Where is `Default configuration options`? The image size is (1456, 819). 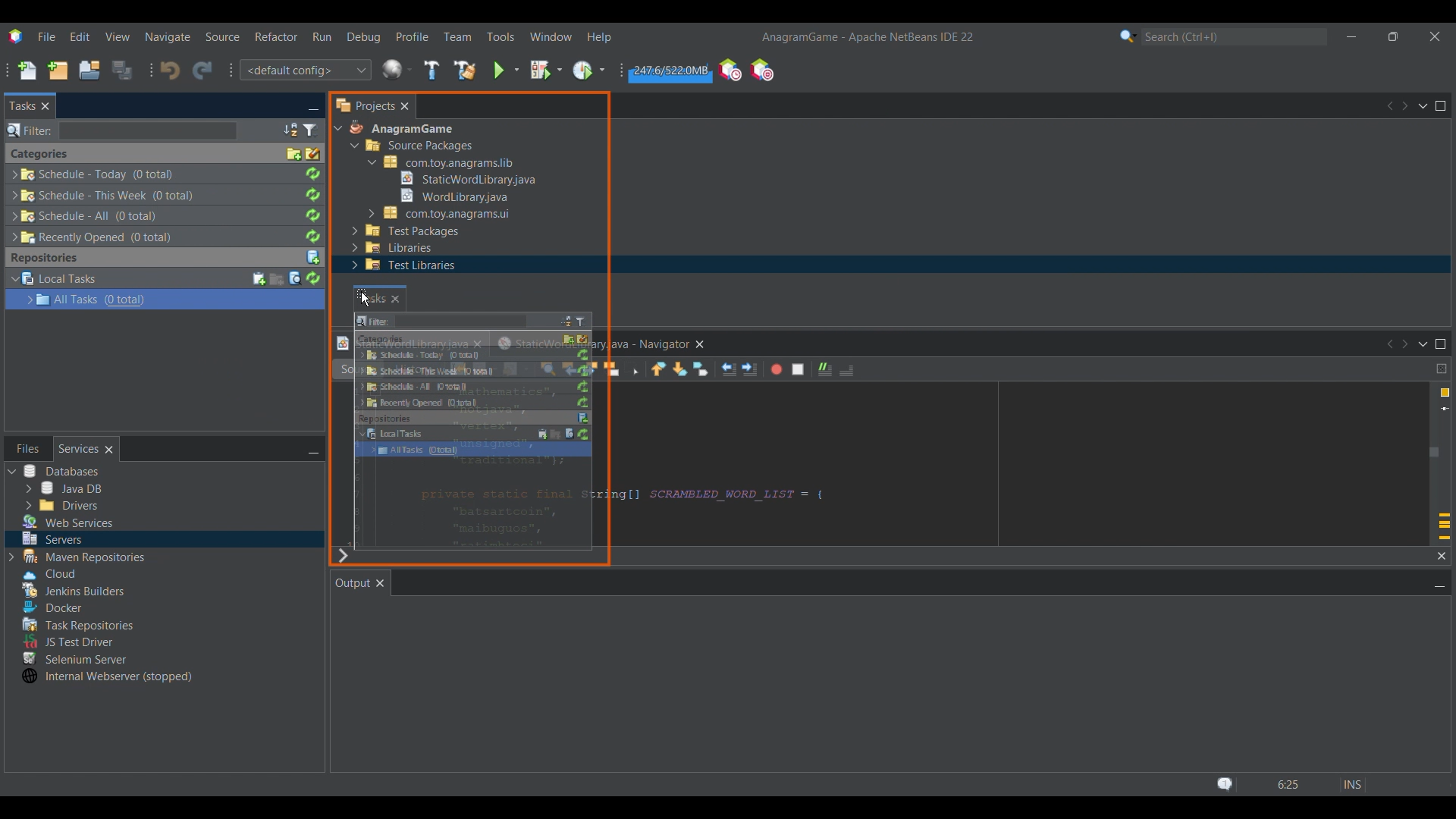
Default configuration options is located at coordinates (305, 70).